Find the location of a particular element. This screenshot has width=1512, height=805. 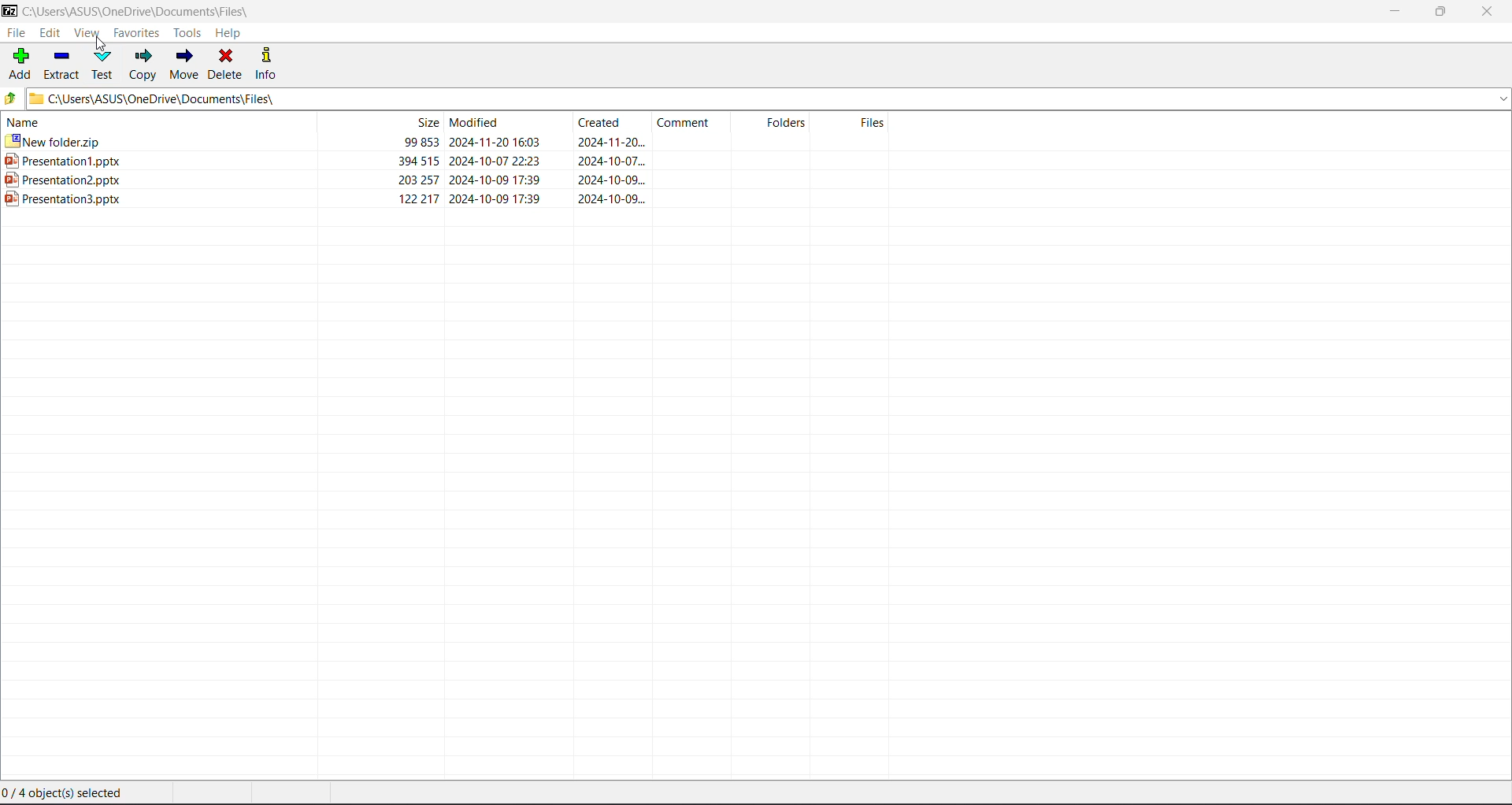

files is located at coordinates (854, 121).